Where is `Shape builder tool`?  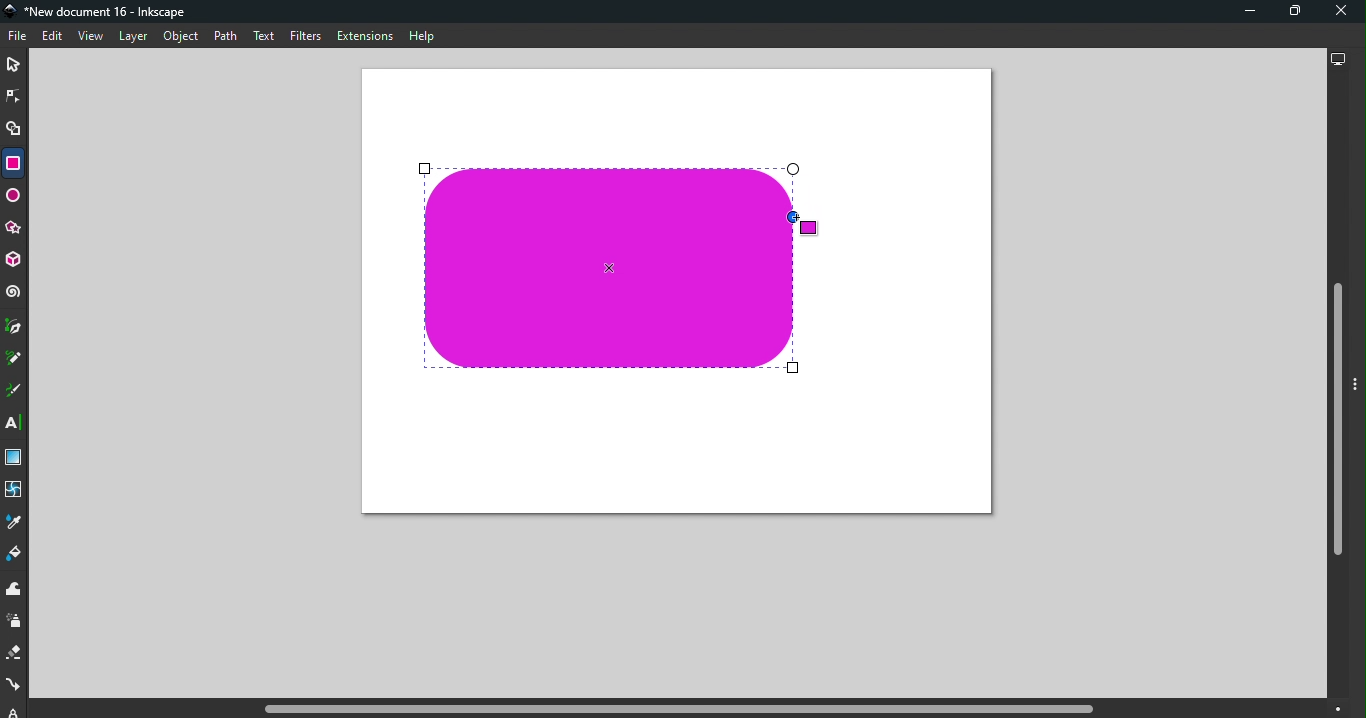 Shape builder tool is located at coordinates (16, 132).